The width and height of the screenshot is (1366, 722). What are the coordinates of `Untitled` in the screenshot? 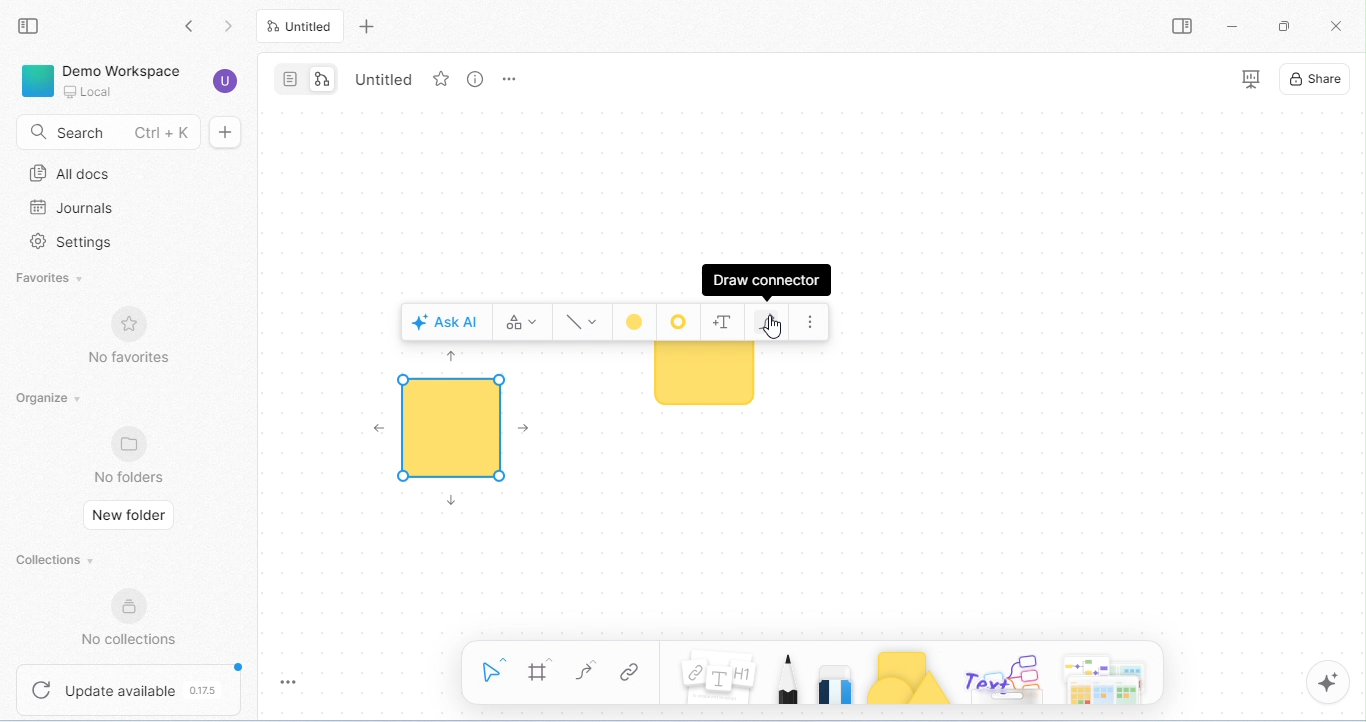 It's located at (386, 80).